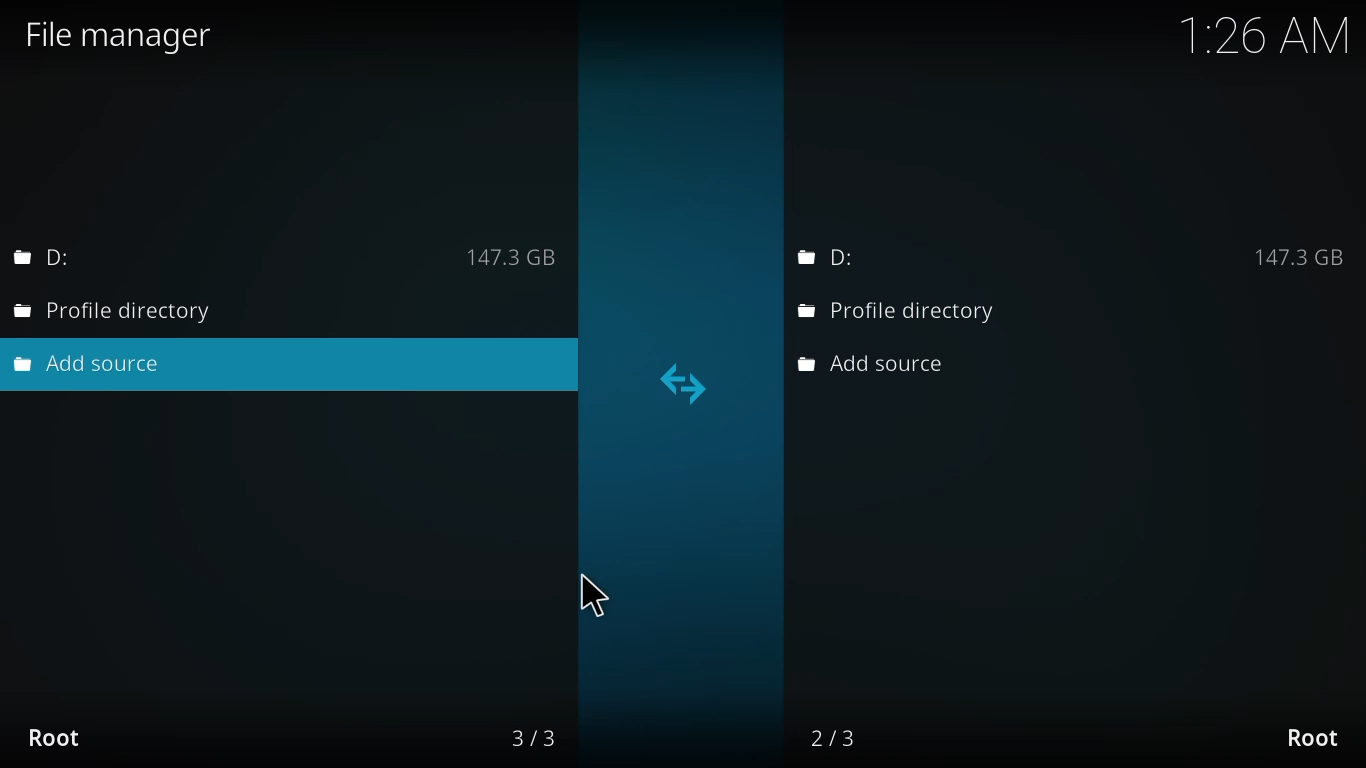  I want to click on cursor, so click(609, 593).